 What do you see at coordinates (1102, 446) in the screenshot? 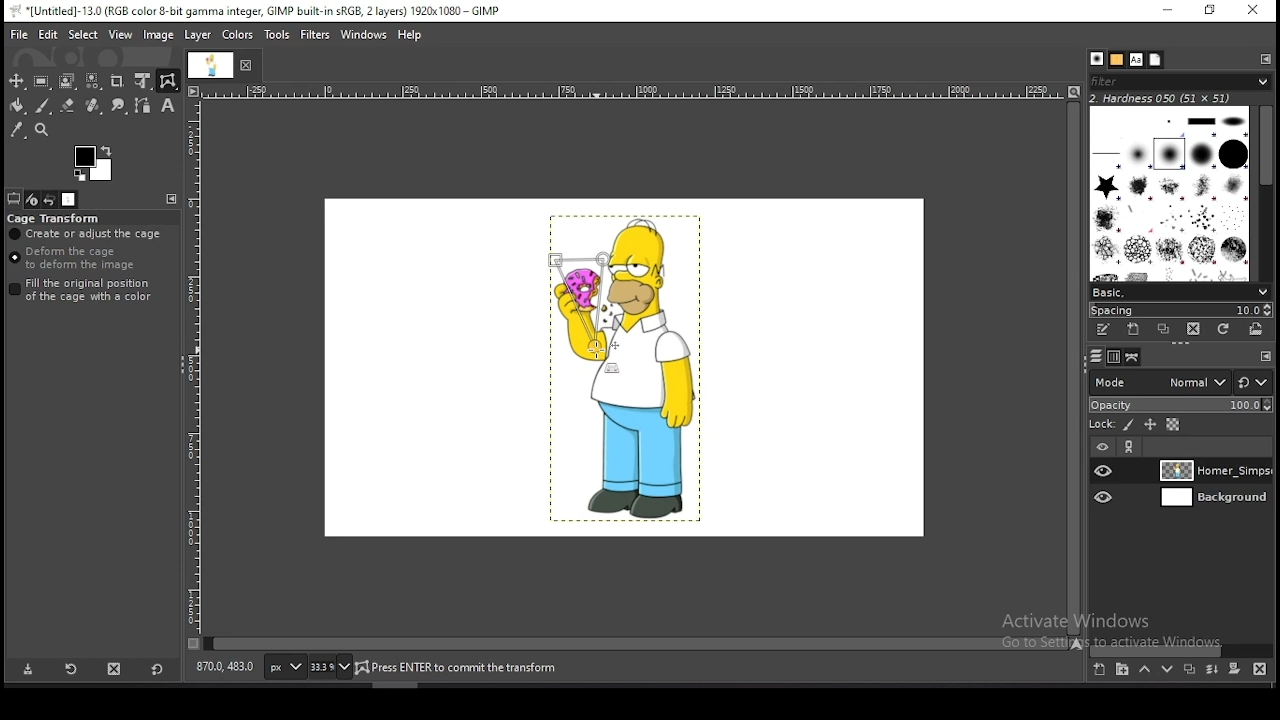
I see `layer on/off` at bounding box center [1102, 446].